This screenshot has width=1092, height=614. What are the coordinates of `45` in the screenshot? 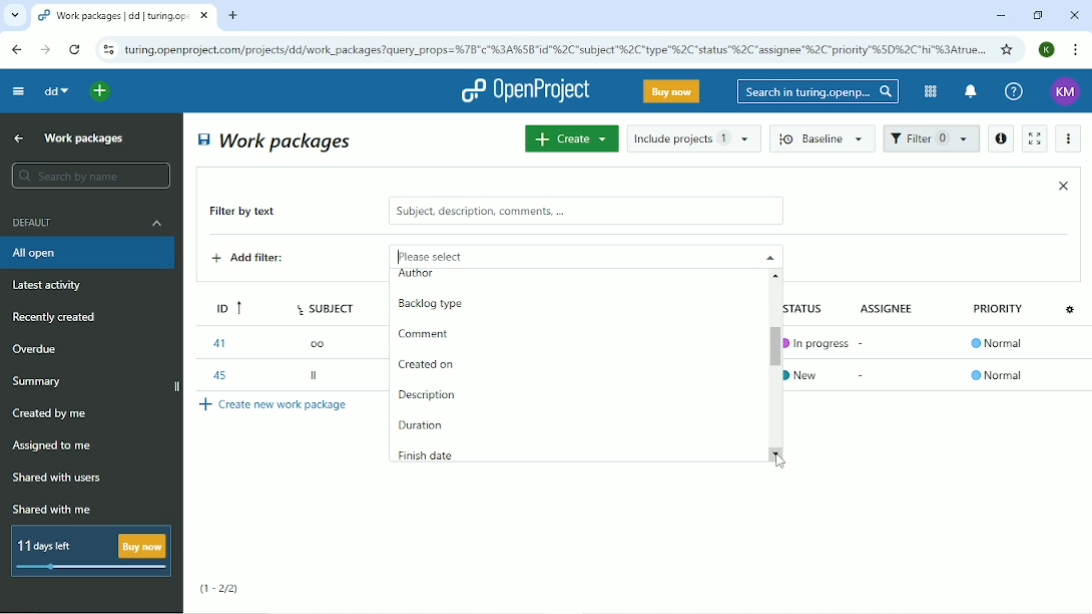 It's located at (217, 373).